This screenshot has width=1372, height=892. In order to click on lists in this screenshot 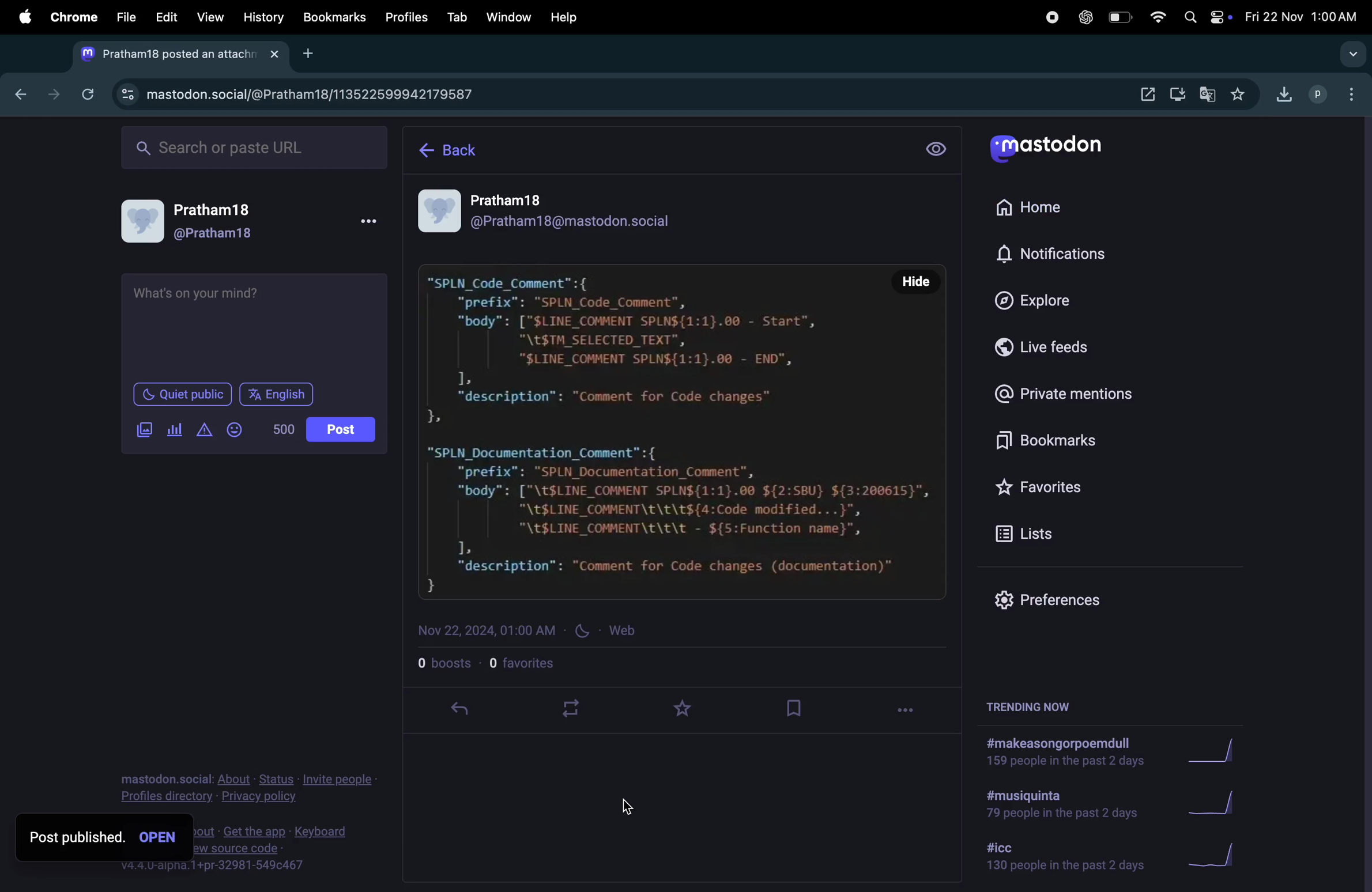, I will do `click(1081, 537)`.